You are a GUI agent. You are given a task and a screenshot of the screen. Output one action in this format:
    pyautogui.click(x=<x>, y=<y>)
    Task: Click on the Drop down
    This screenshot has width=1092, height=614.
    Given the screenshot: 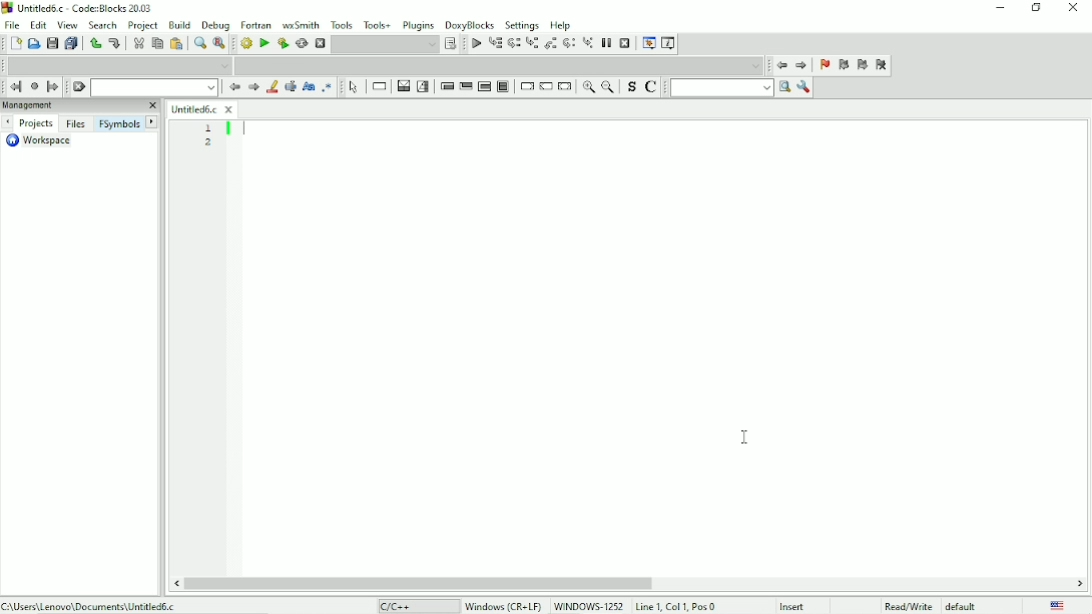 What is the action you would take?
    pyautogui.click(x=385, y=45)
    